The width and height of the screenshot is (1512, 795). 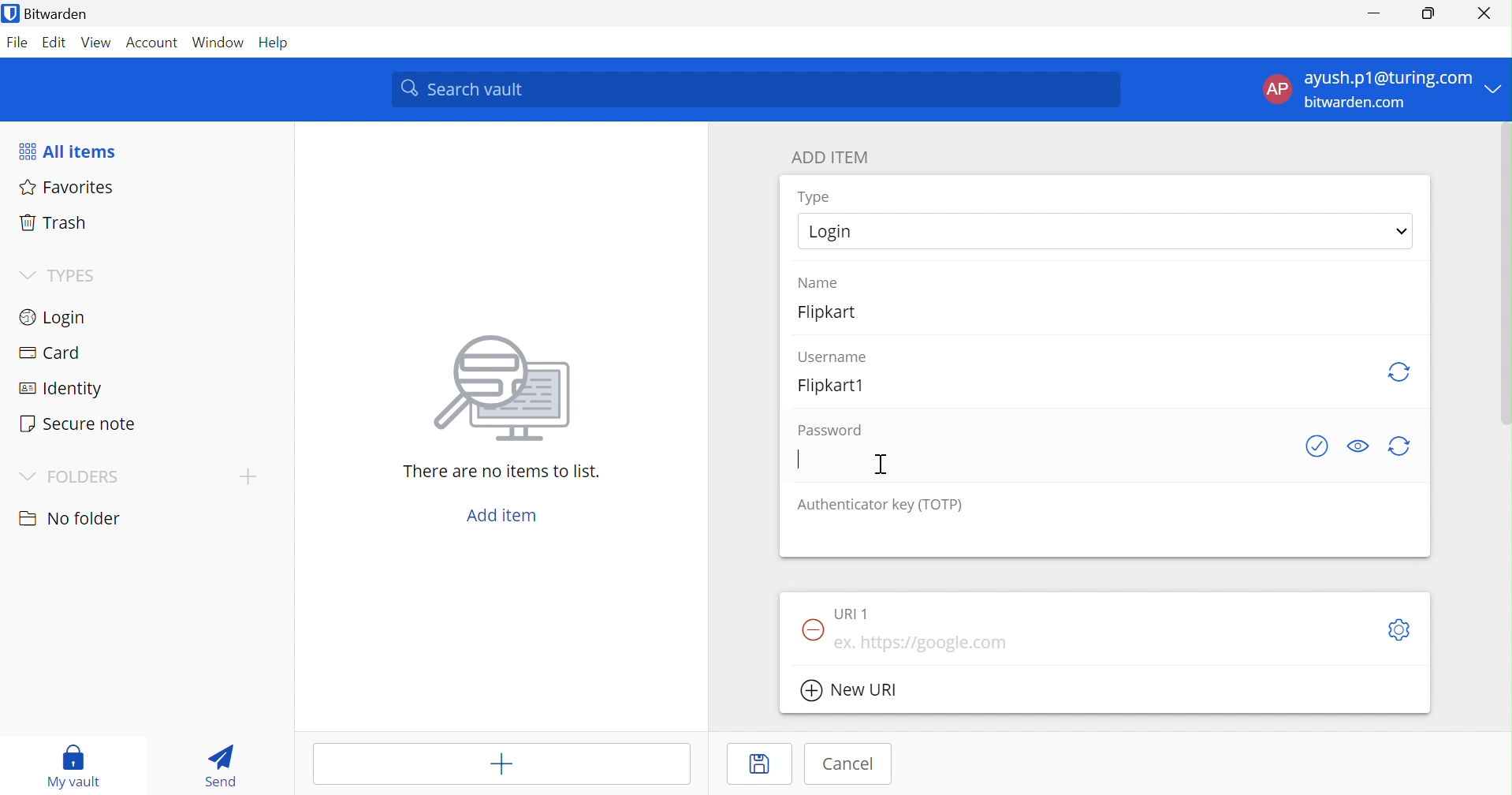 What do you see at coordinates (94, 42) in the screenshot?
I see `View` at bounding box center [94, 42].